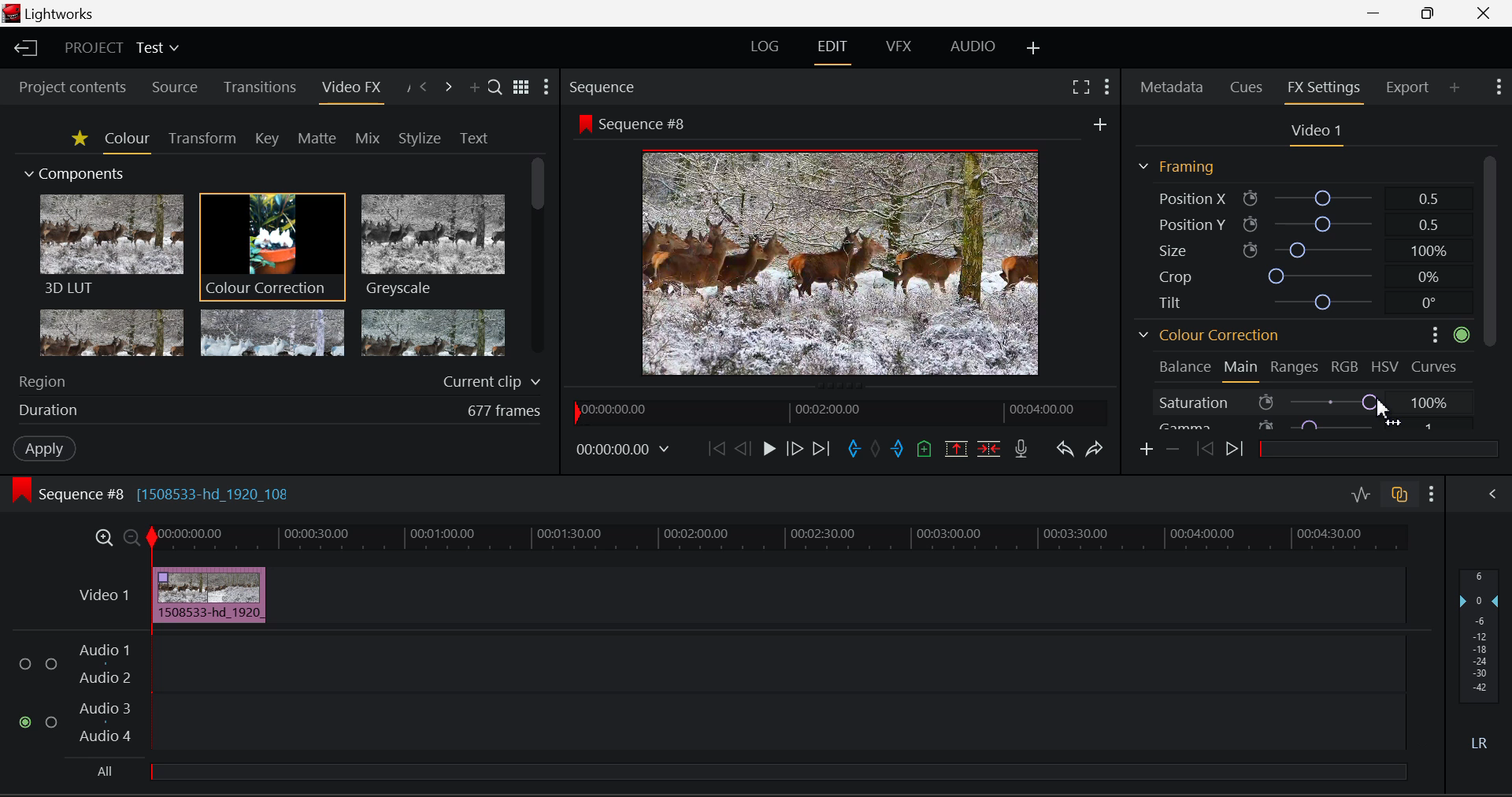  What do you see at coordinates (1462, 334) in the screenshot?
I see `active` at bounding box center [1462, 334].